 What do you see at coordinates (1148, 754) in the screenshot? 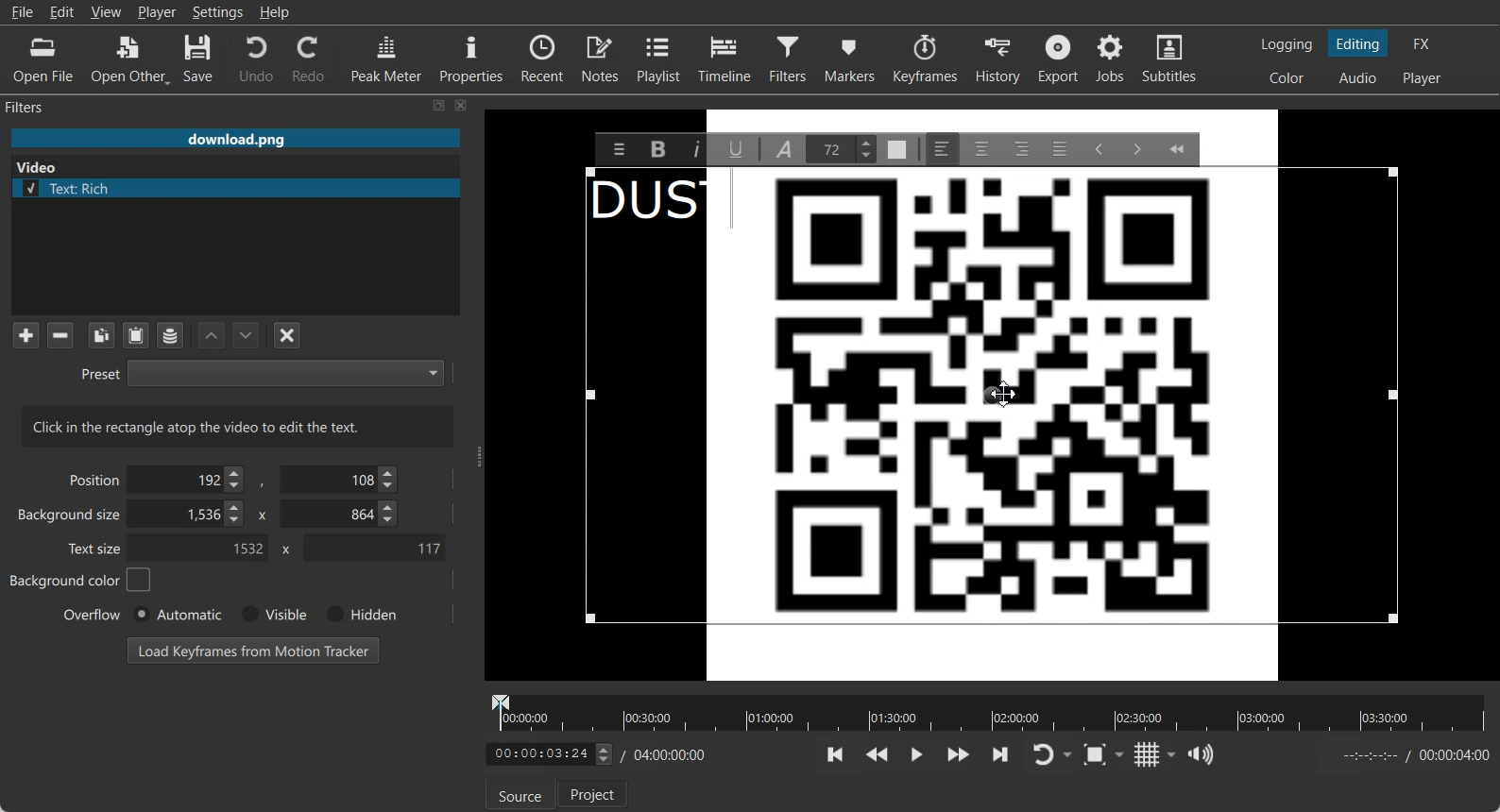
I see `Toggle grid display on the player` at bounding box center [1148, 754].